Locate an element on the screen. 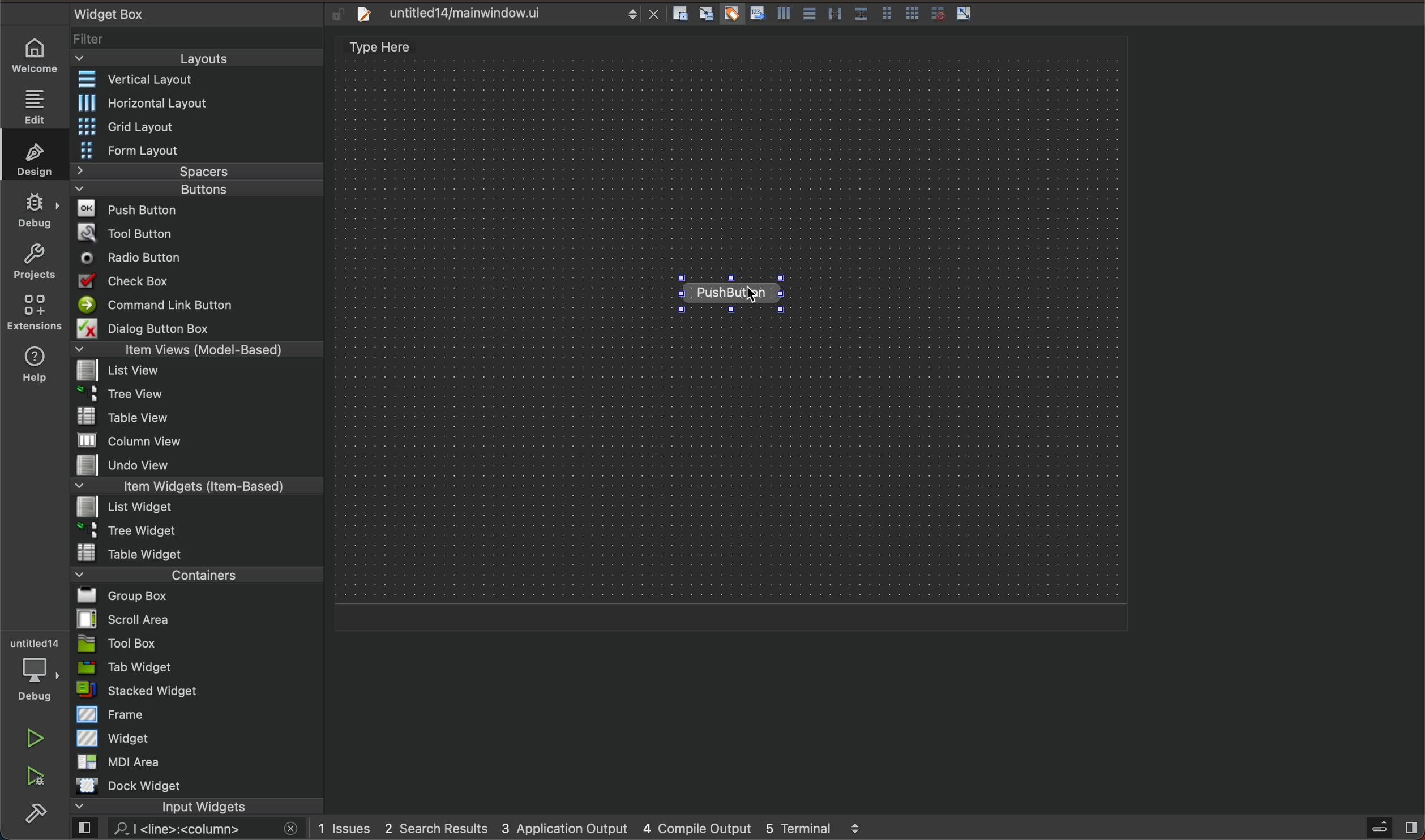  containers is located at coordinates (194, 577).